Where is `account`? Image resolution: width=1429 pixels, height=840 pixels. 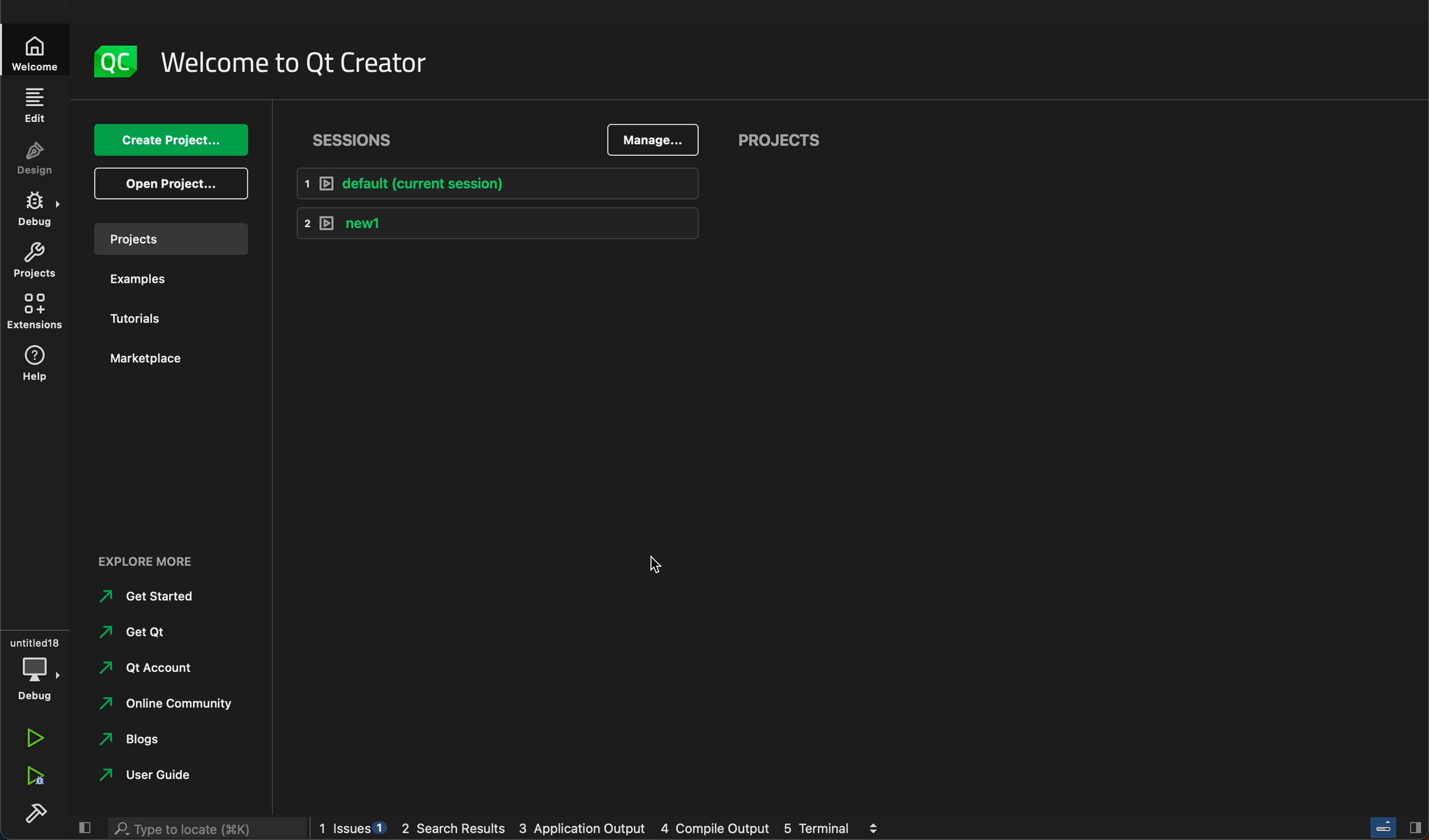 account is located at coordinates (153, 667).